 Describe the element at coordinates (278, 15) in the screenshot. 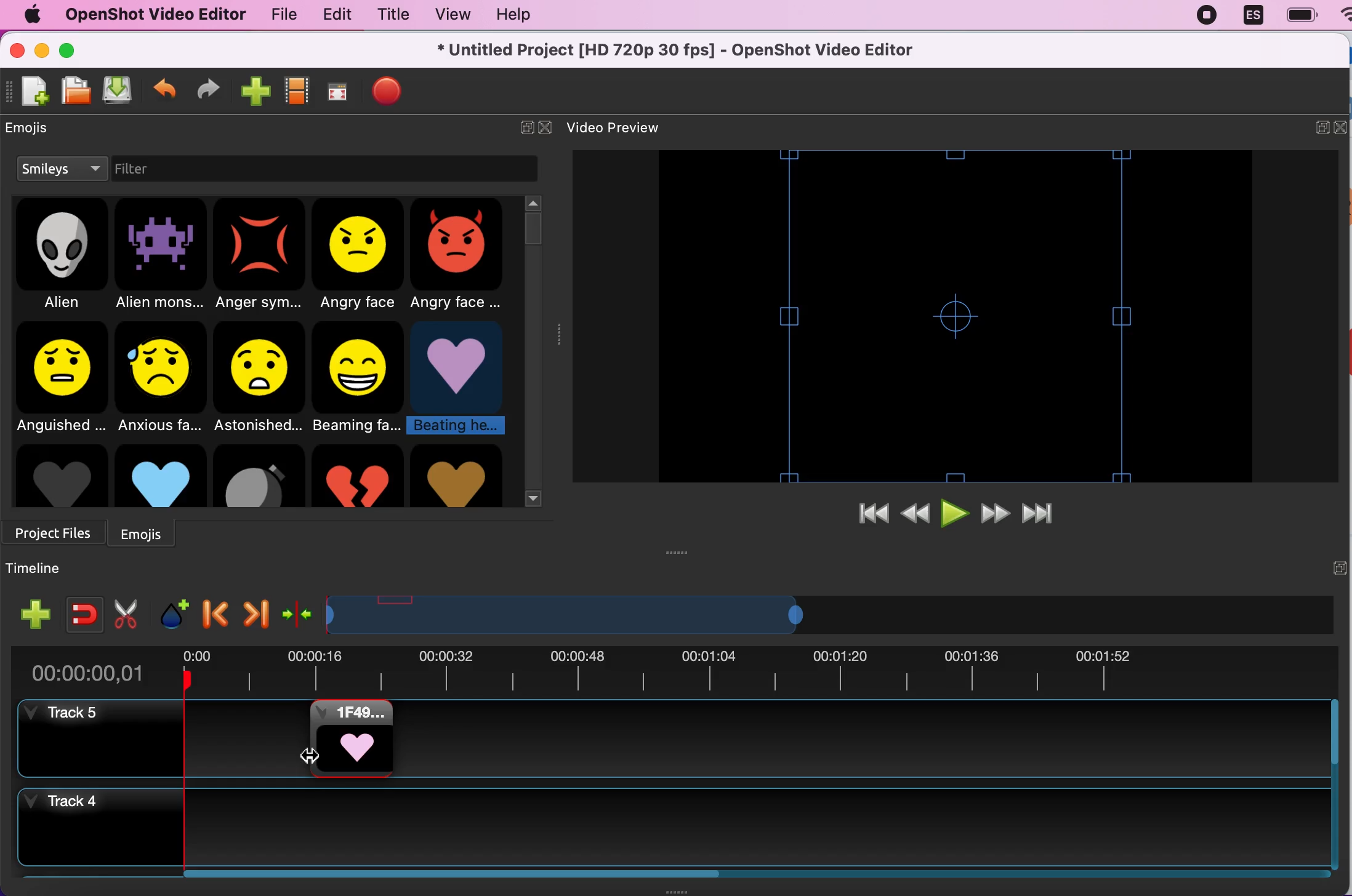

I see `file` at that location.